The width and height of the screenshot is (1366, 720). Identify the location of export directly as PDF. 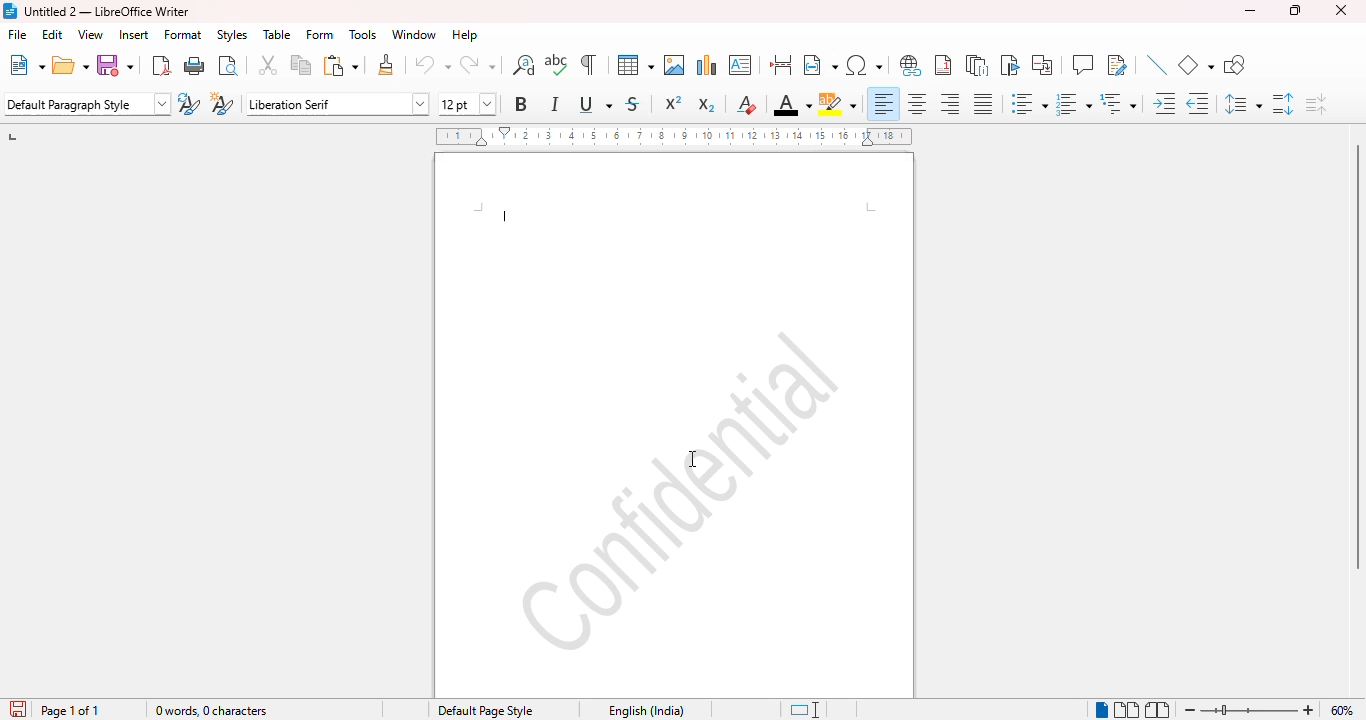
(162, 65).